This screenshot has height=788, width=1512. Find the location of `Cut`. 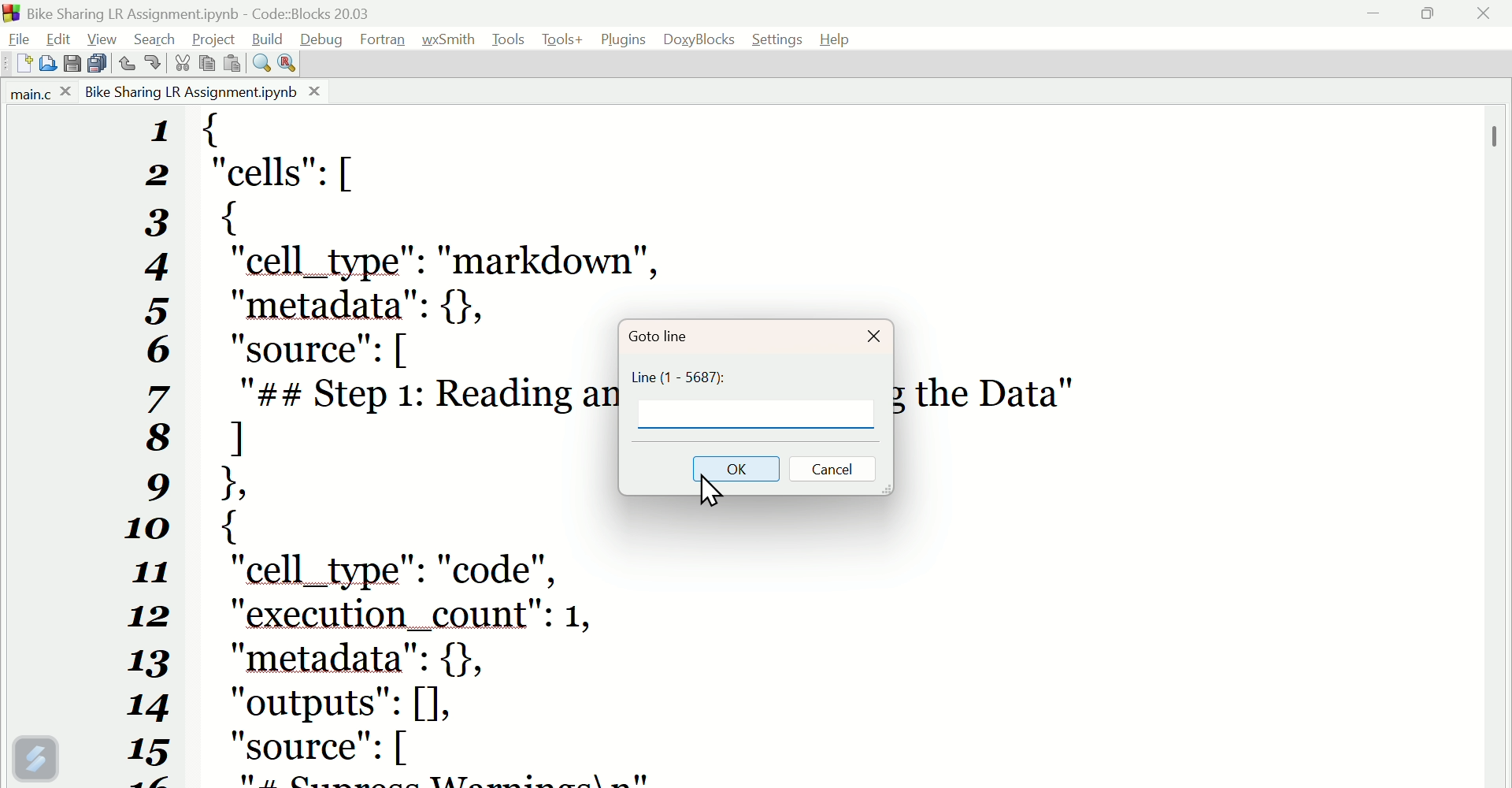

Cut is located at coordinates (178, 63).